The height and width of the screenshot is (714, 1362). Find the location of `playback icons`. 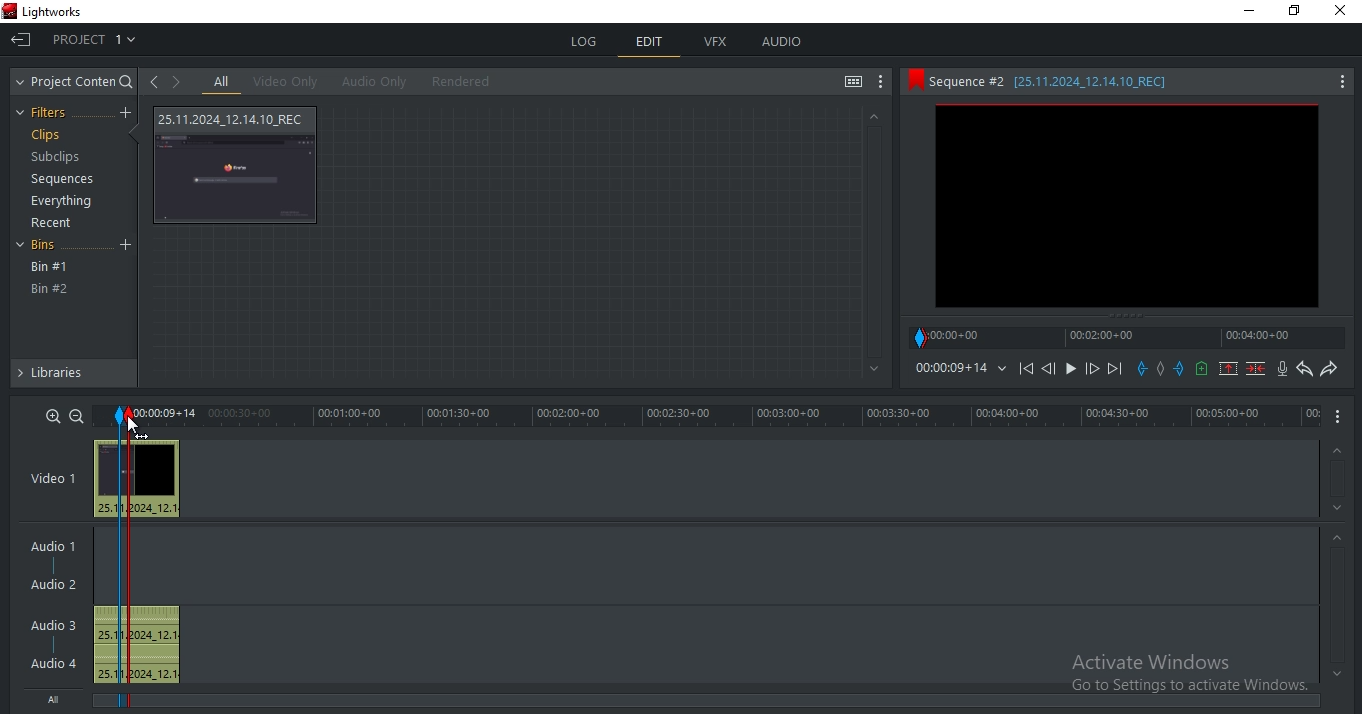

playback icons is located at coordinates (1025, 367).